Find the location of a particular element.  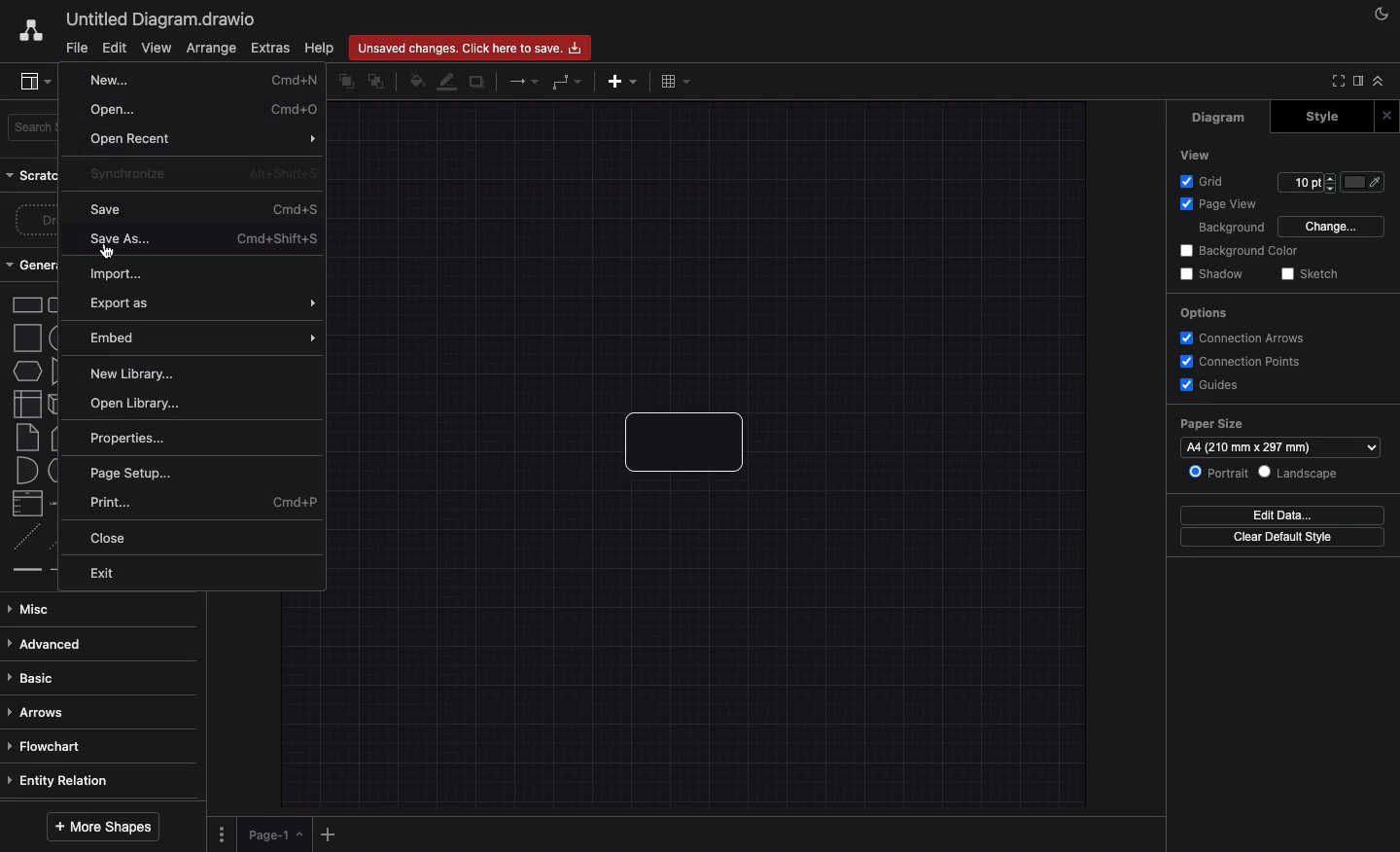

Options is located at coordinates (1205, 313).